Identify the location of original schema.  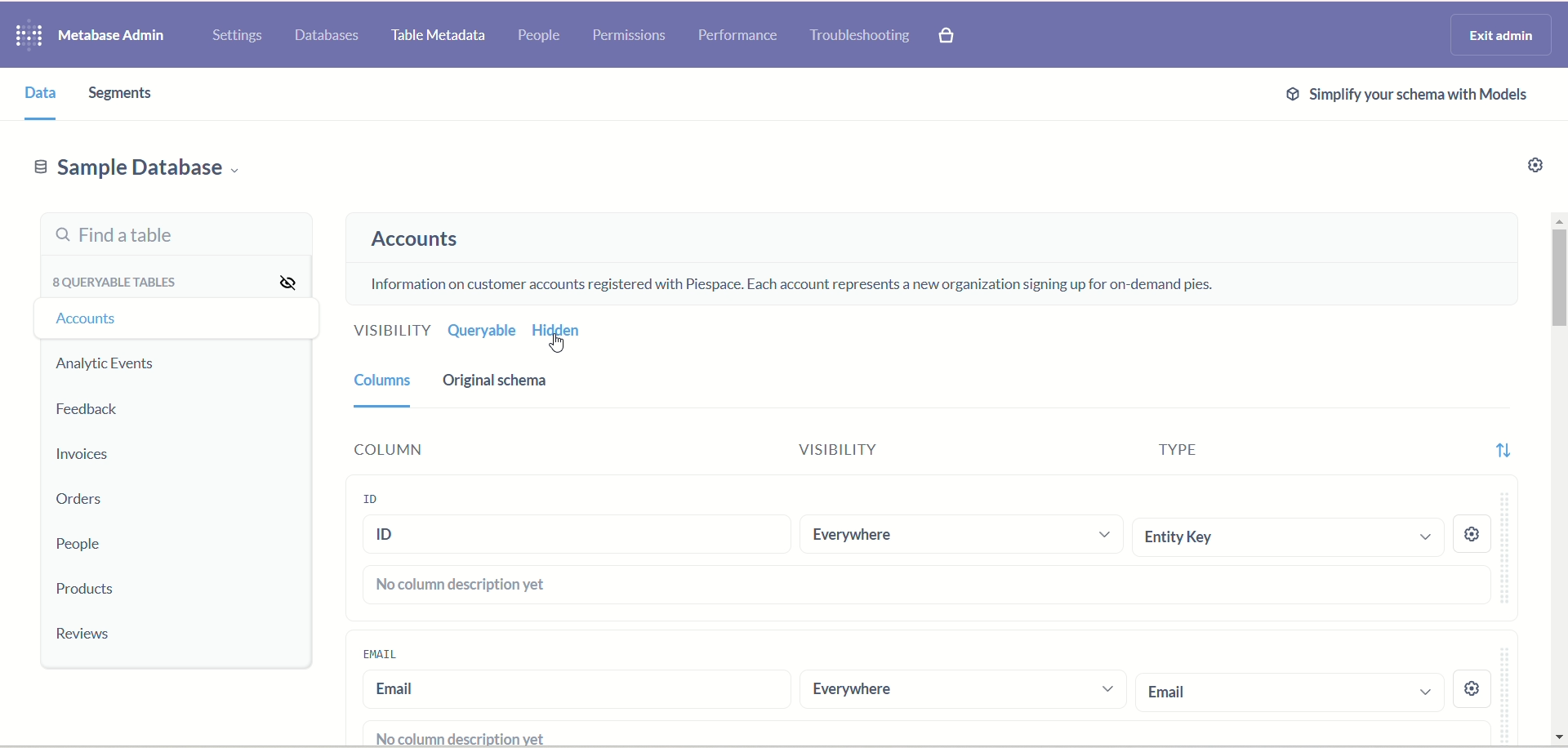
(504, 387).